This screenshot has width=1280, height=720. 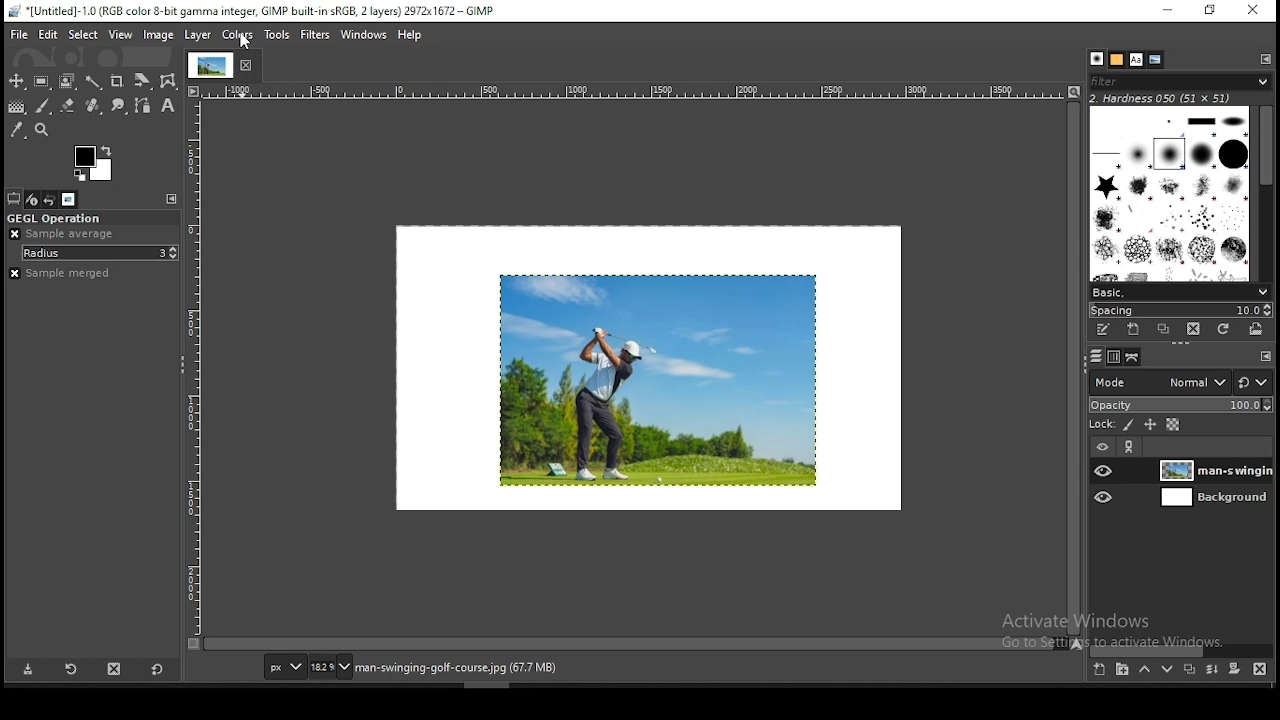 I want to click on move layer on step down, so click(x=1167, y=669).